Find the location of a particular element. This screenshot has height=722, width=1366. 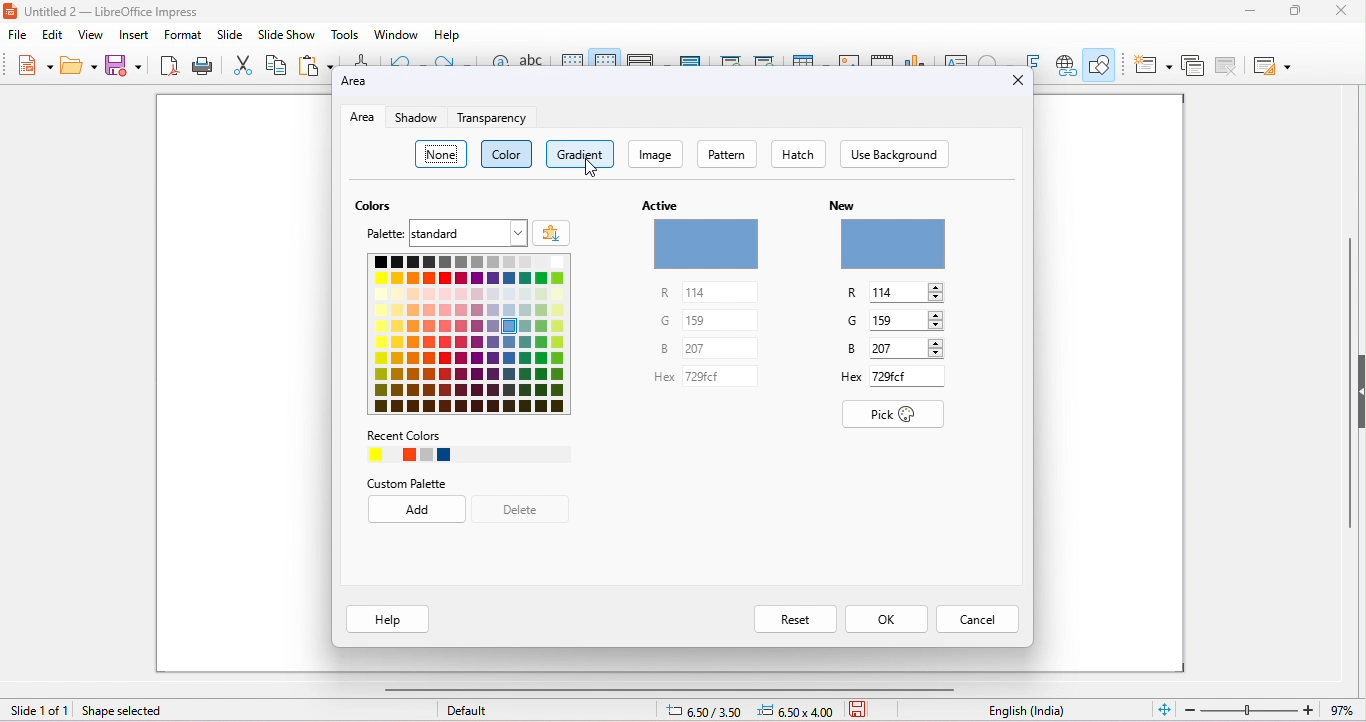

729cf is located at coordinates (724, 375).